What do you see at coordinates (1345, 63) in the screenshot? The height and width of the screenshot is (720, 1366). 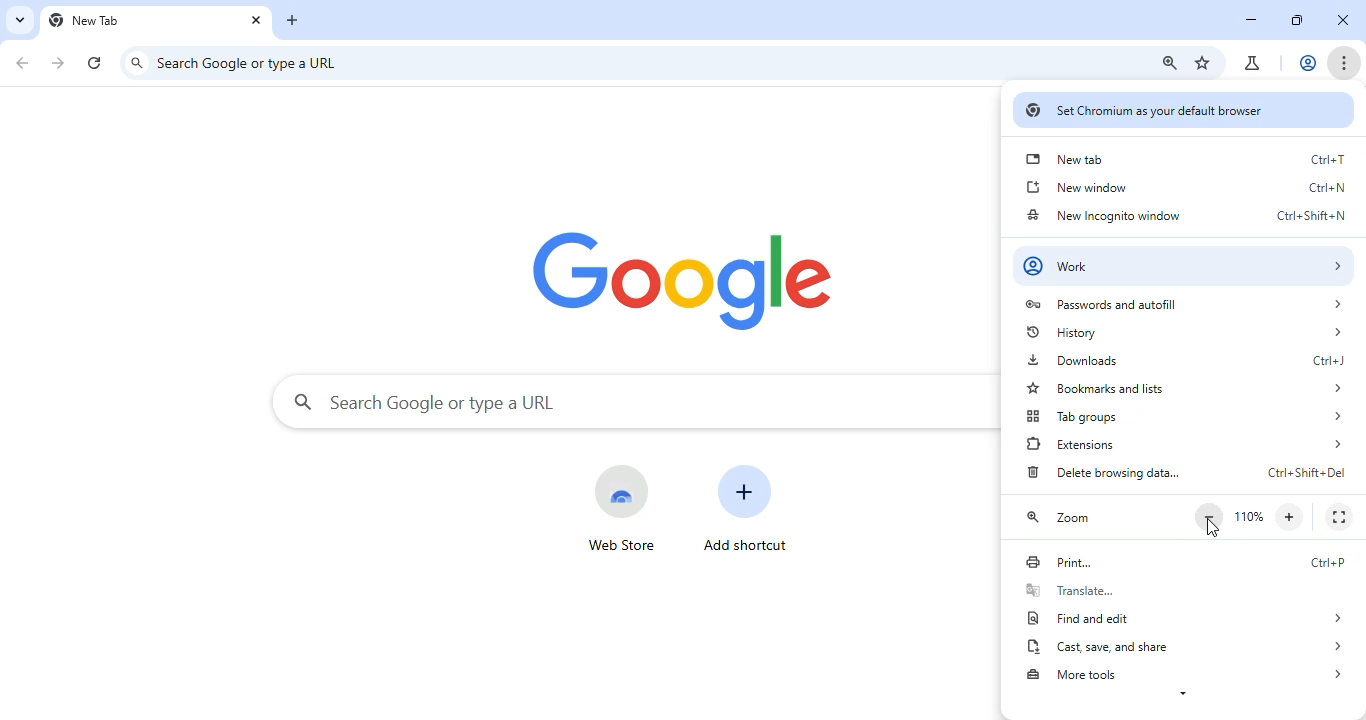 I see `customize and control google chrome` at bounding box center [1345, 63].